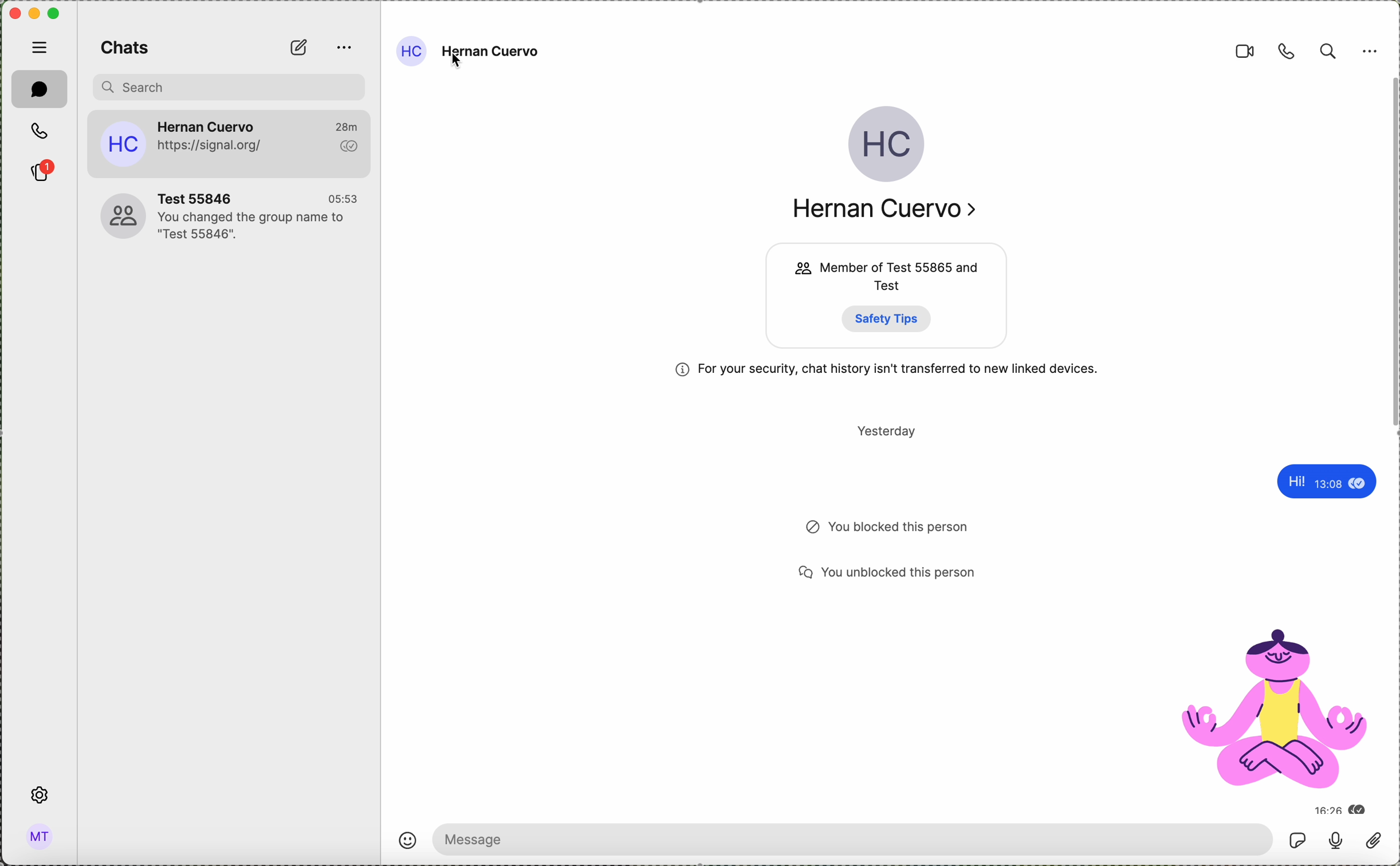  Describe the element at coordinates (889, 319) in the screenshot. I see `Safety Tips` at that location.